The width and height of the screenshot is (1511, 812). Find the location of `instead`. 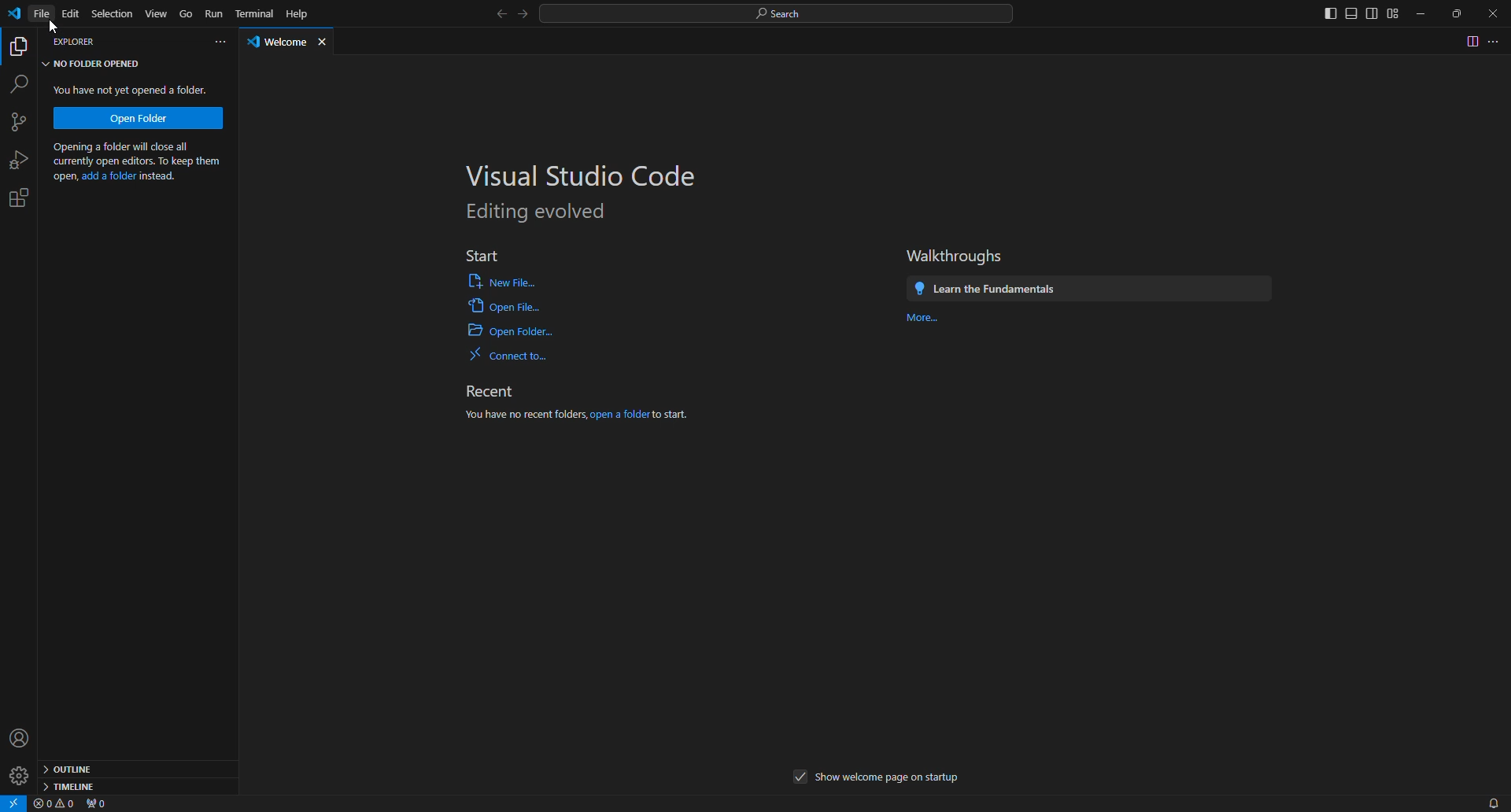

instead is located at coordinates (159, 176).